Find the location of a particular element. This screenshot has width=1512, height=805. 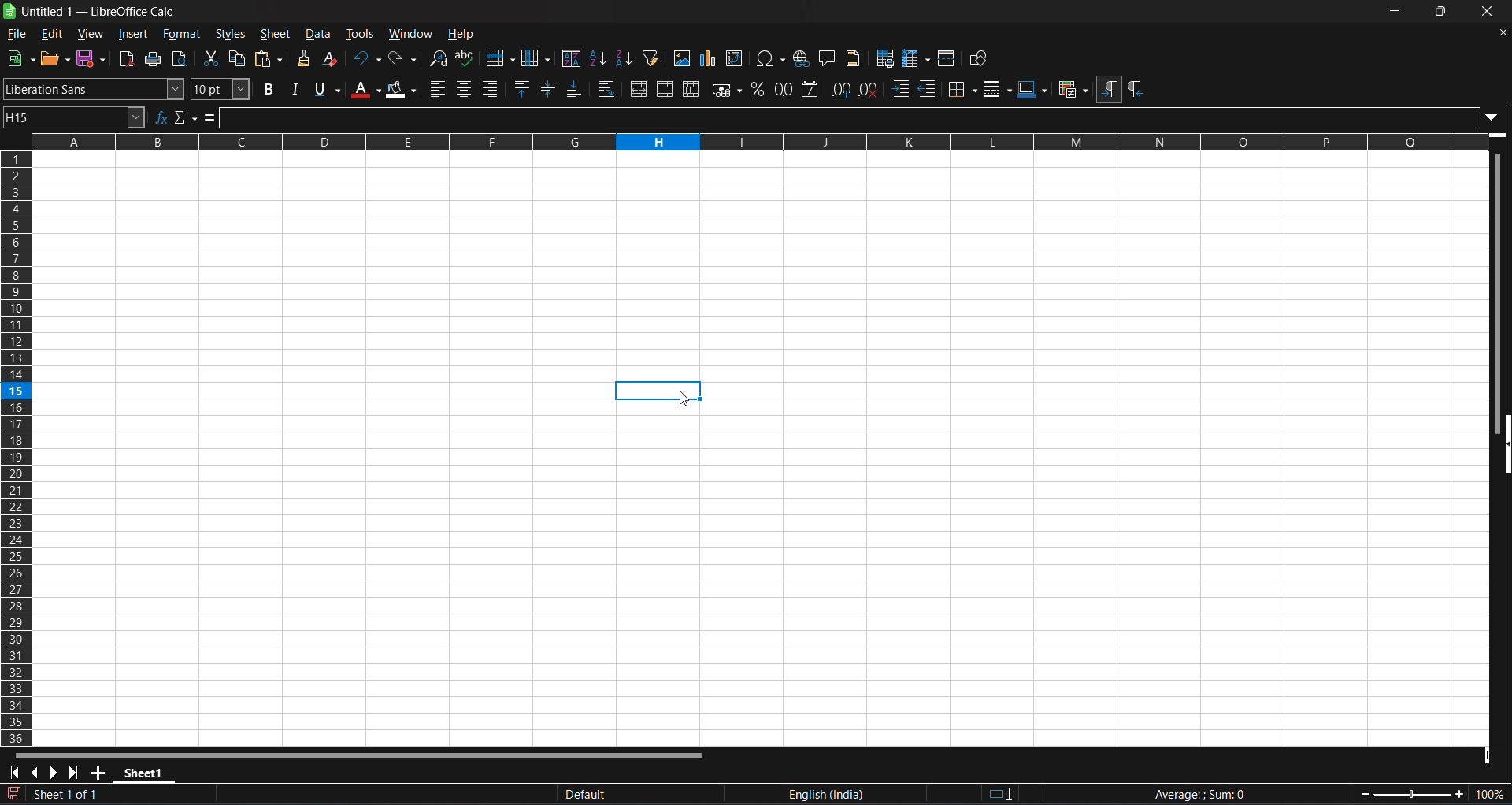

center vertically is located at coordinates (547, 89).